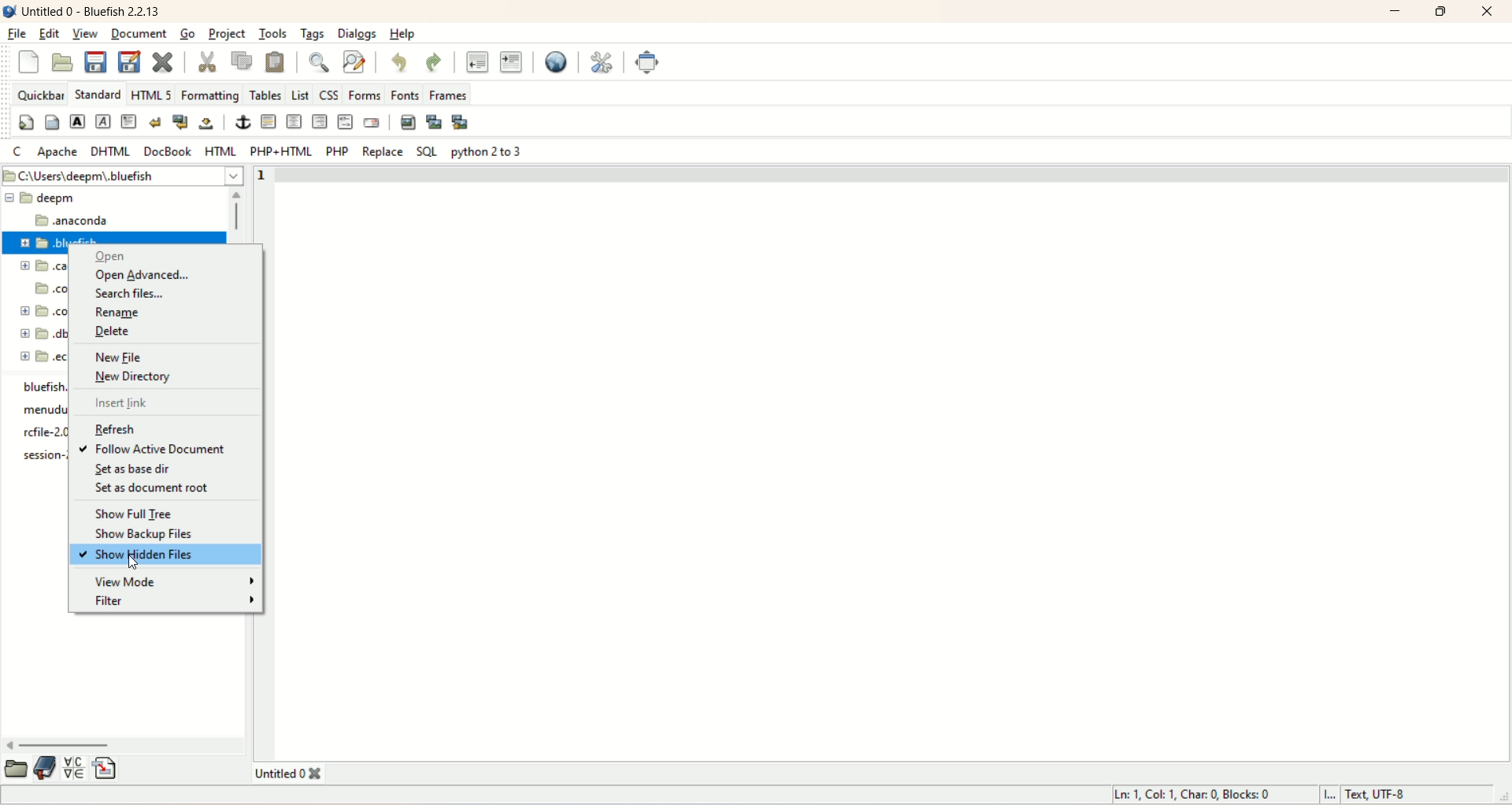  Describe the element at coordinates (206, 60) in the screenshot. I see `cut` at that location.